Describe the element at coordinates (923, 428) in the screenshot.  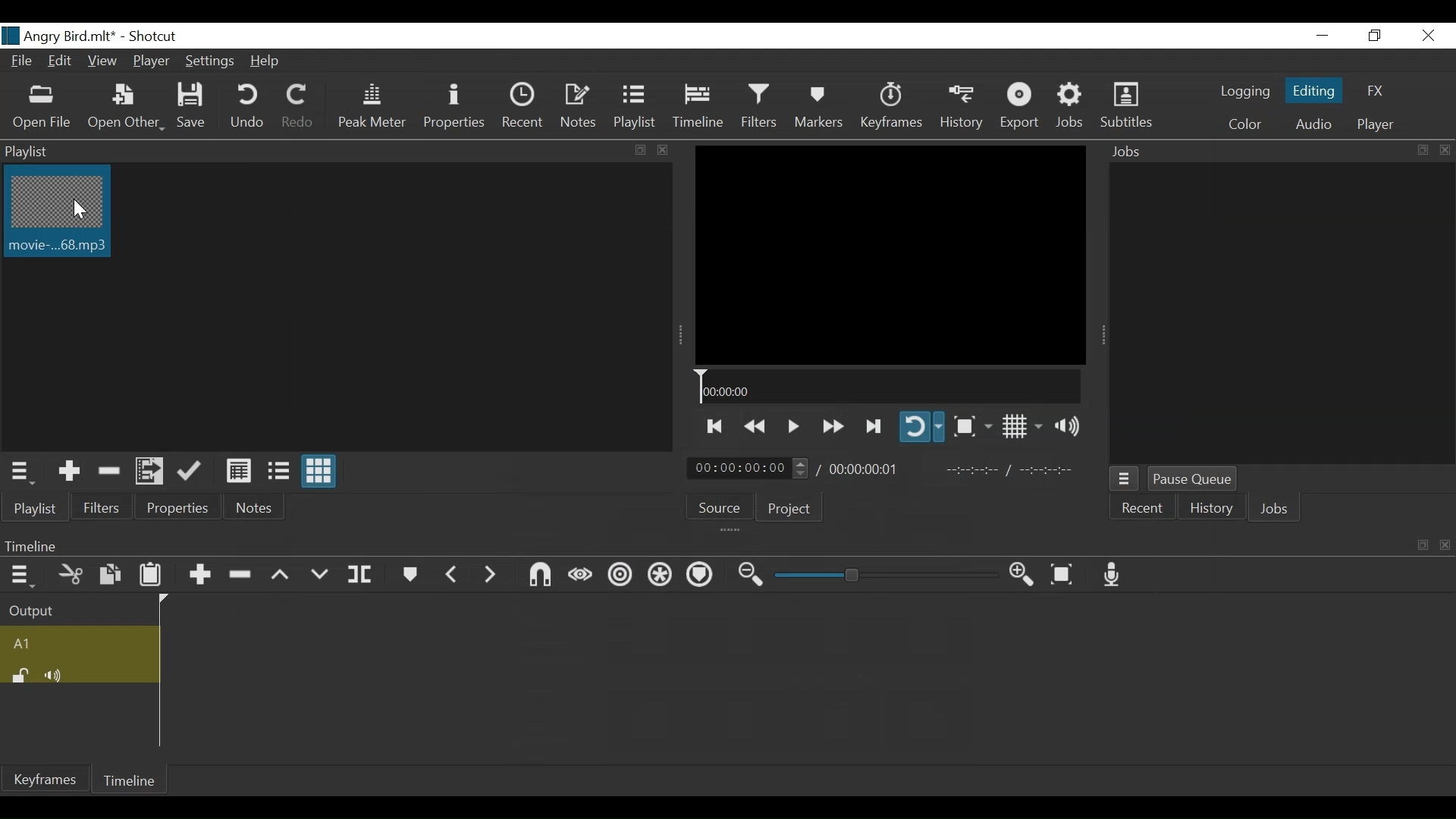
I see `Toggle player on looping` at that location.